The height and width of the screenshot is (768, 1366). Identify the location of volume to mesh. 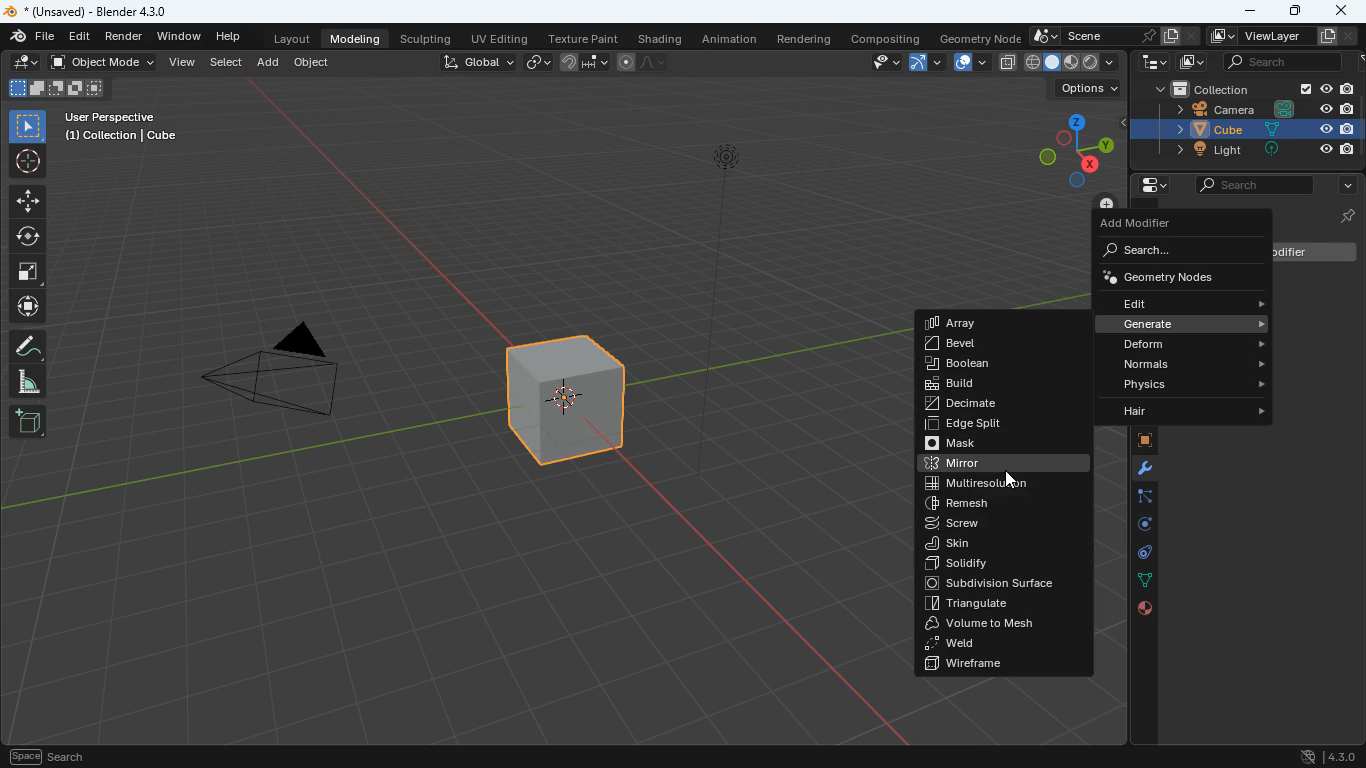
(1001, 624).